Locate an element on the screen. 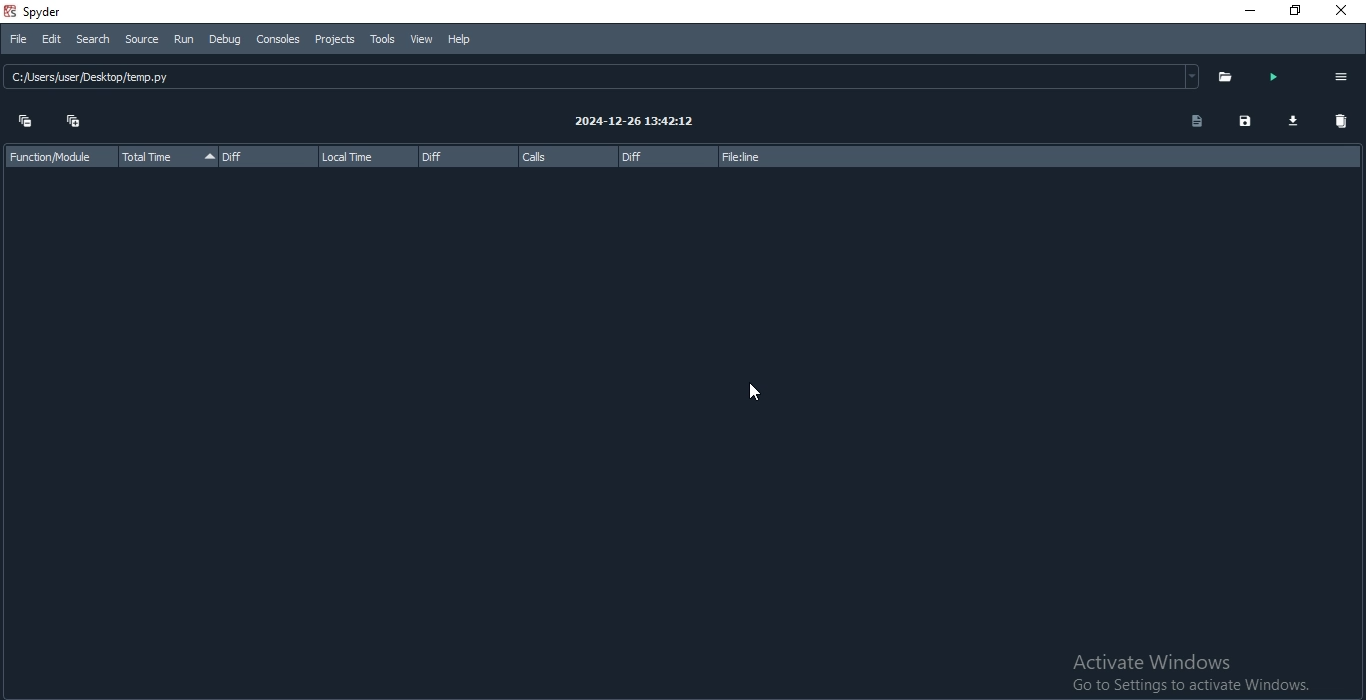  C: lsersjuser Desktop/temp.py. is located at coordinates (322, 79).